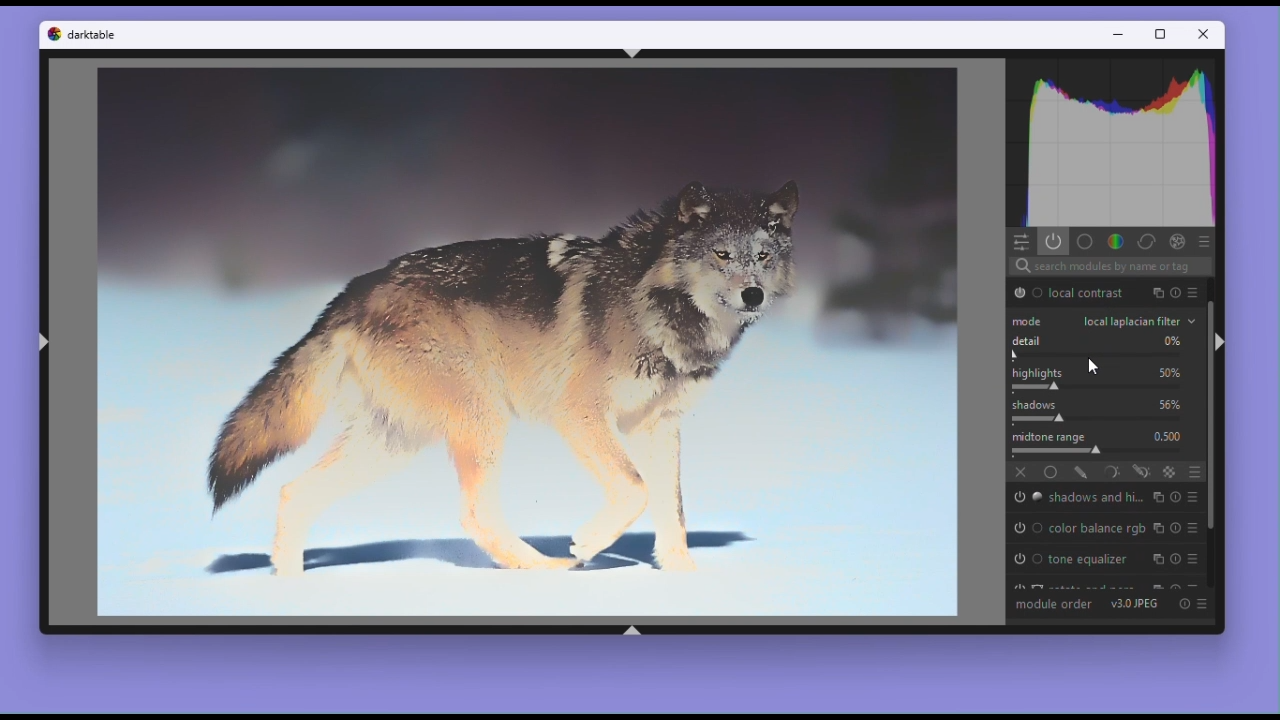  Describe the element at coordinates (1175, 558) in the screenshot. I see `Reset` at that location.